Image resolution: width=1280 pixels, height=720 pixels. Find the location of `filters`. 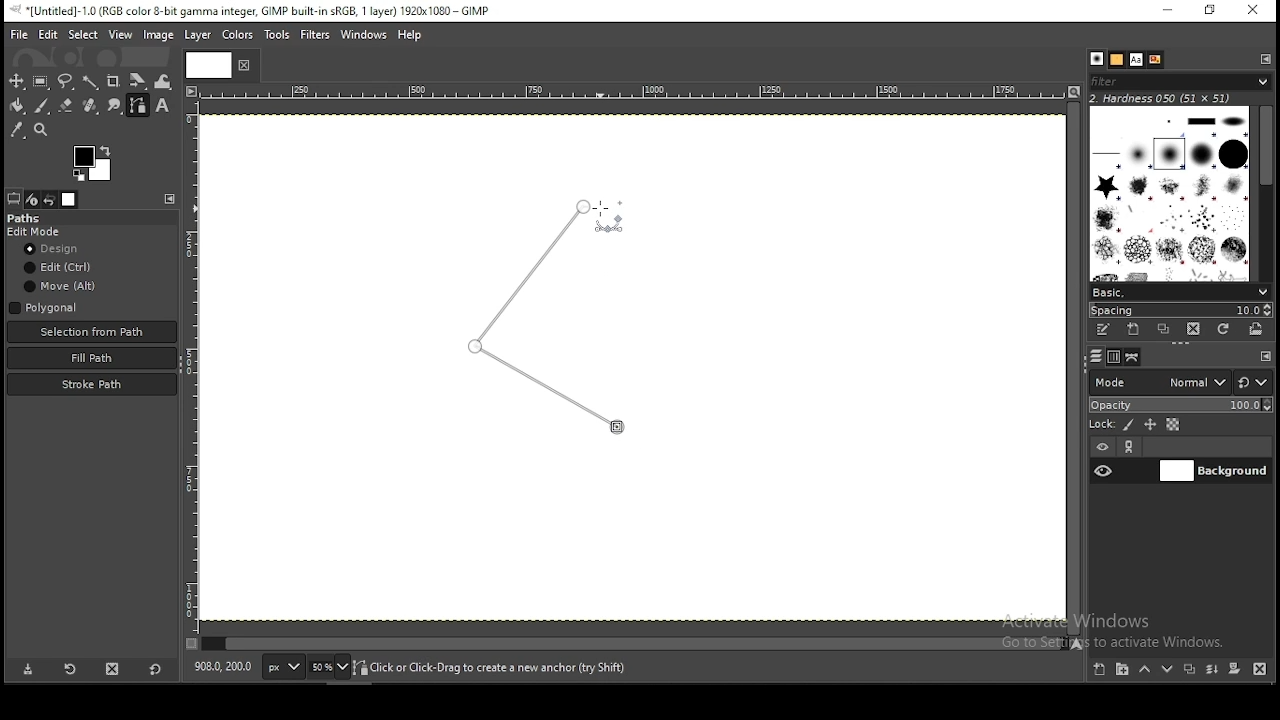

filters is located at coordinates (1184, 83).